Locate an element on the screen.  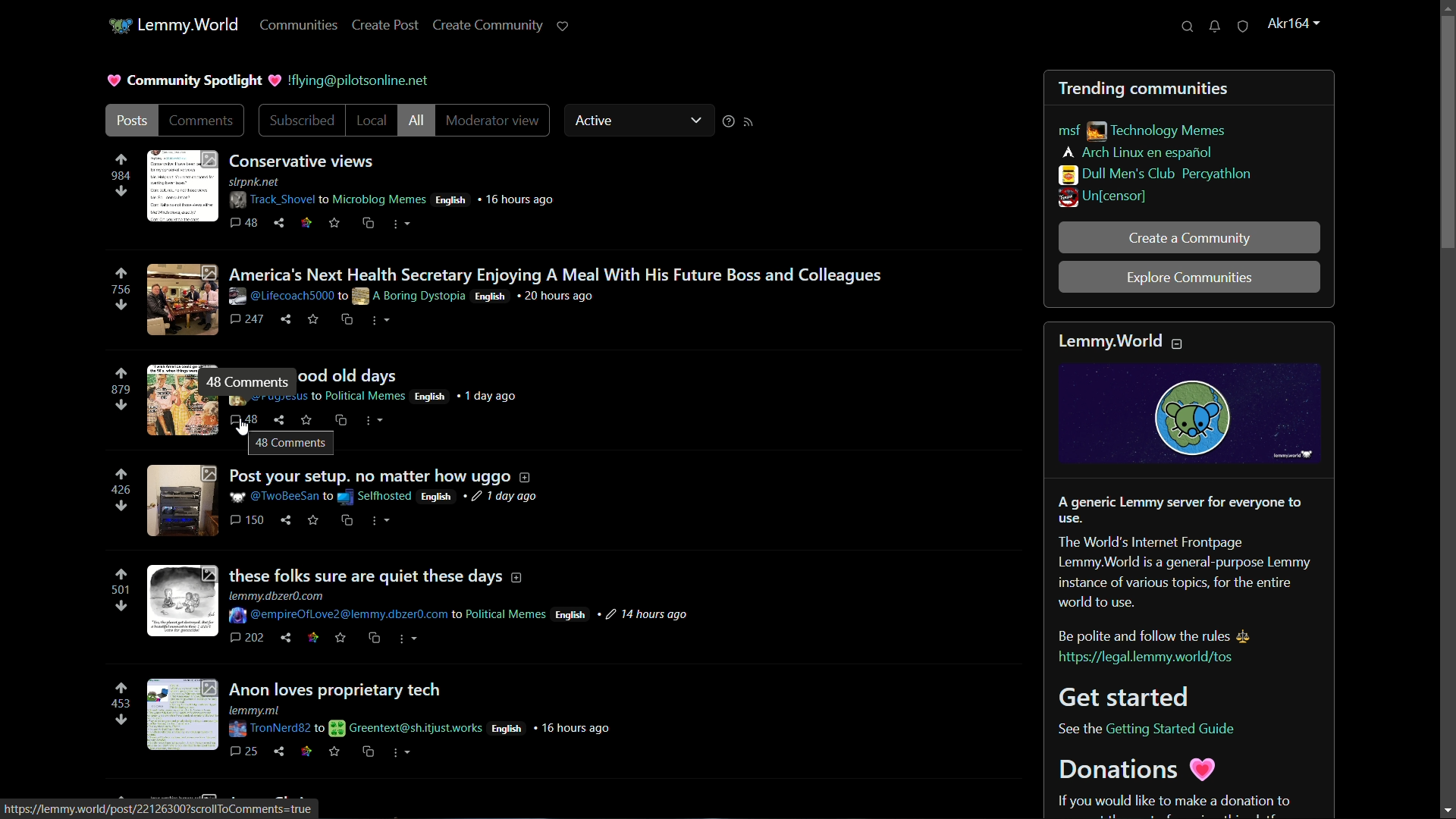
create community is located at coordinates (485, 26).